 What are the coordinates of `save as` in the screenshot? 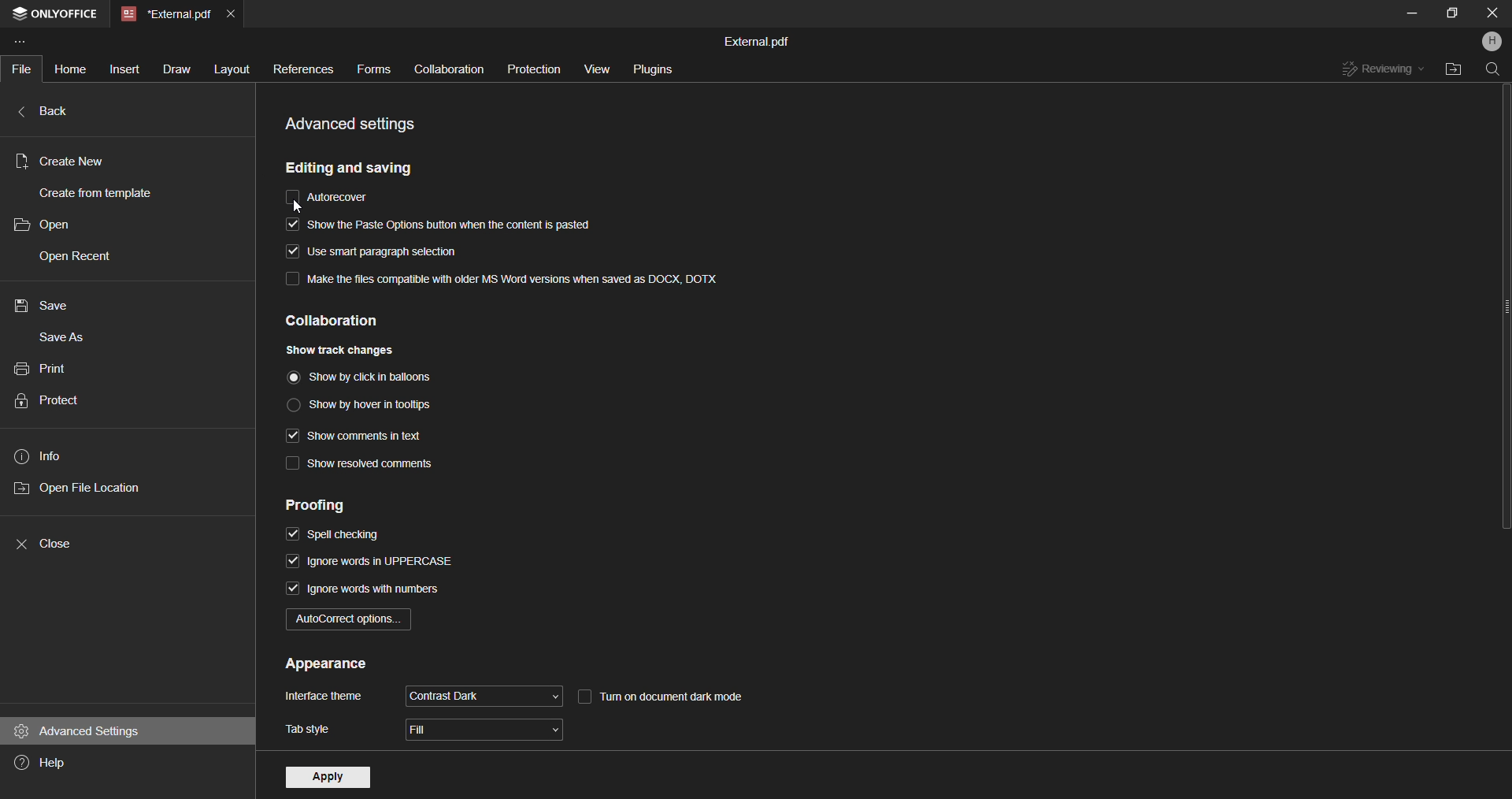 It's located at (64, 340).